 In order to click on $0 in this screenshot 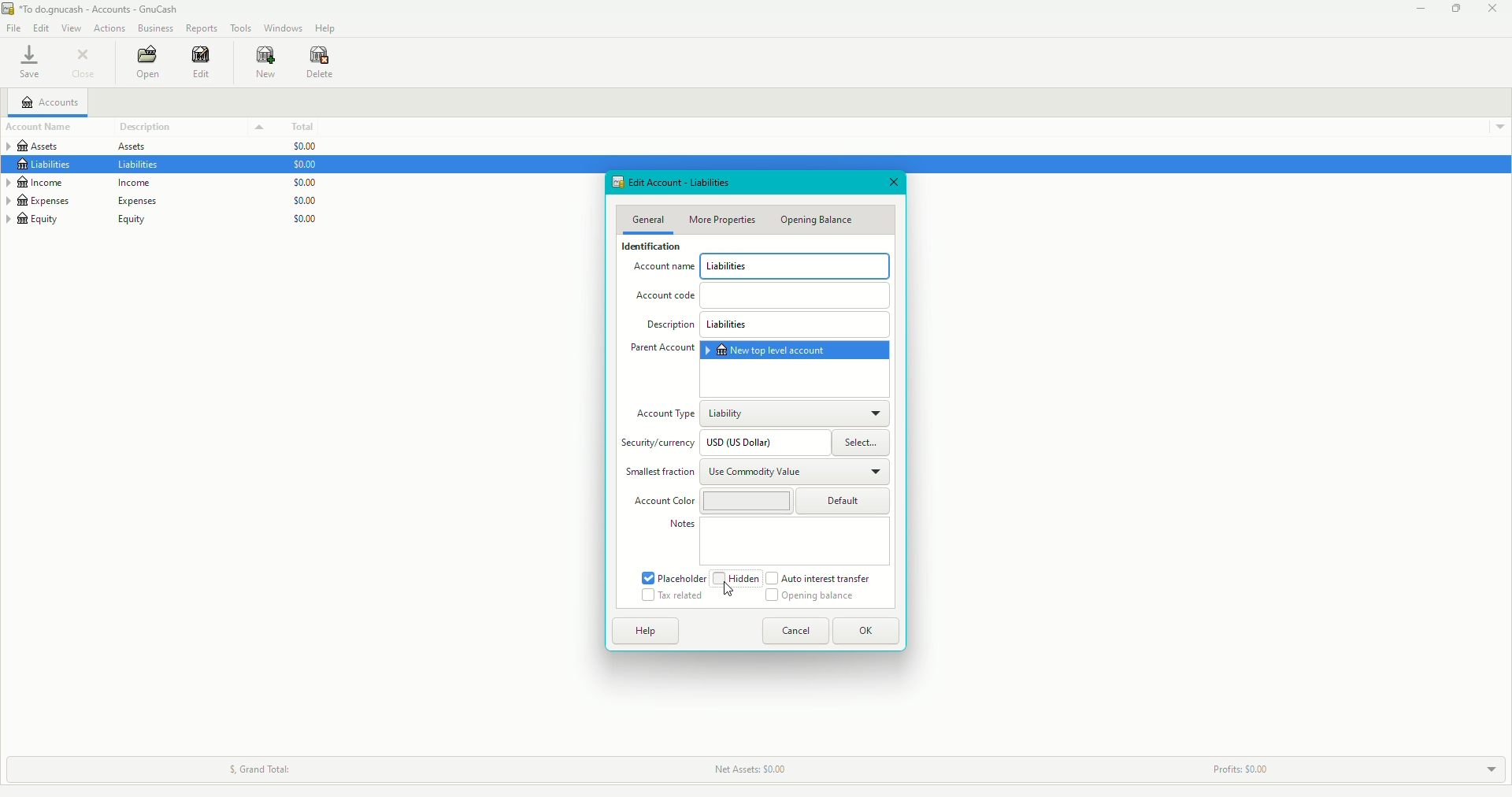, I will do `click(309, 183)`.